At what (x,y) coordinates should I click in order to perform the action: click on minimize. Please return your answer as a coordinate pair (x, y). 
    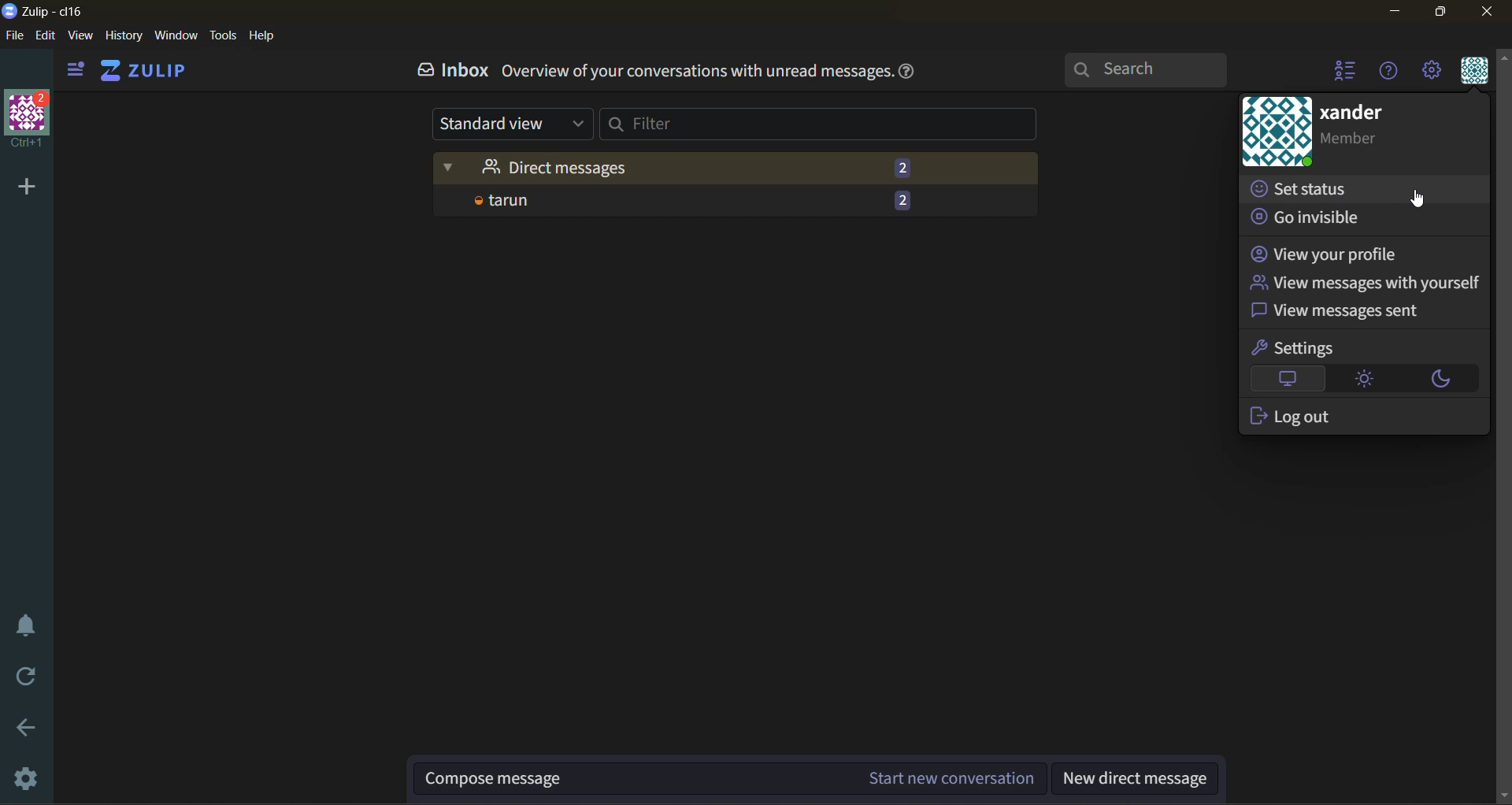
    Looking at the image, I should click on (1397, 13).